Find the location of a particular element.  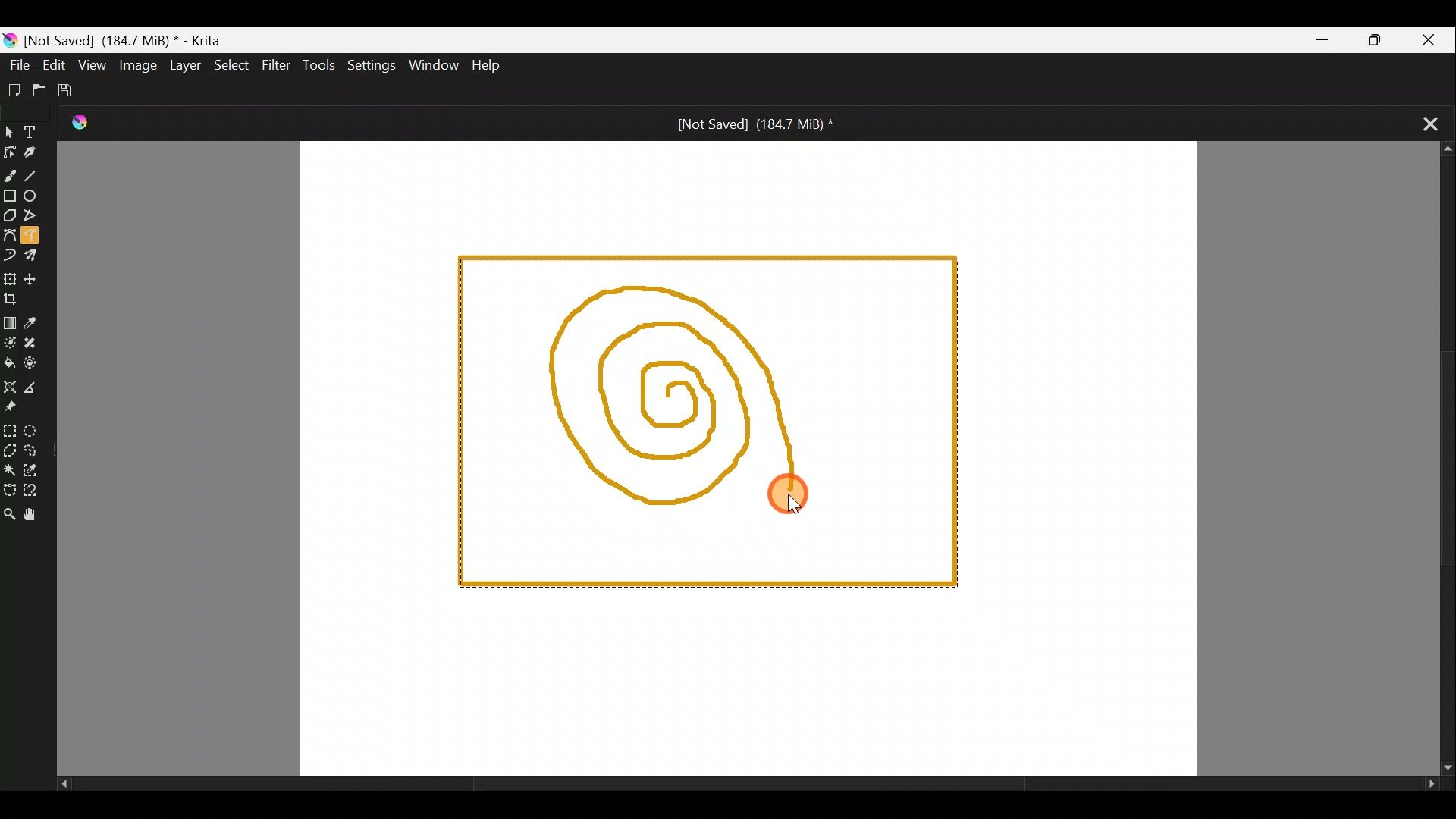

Image is located at coordinates (142, 66).